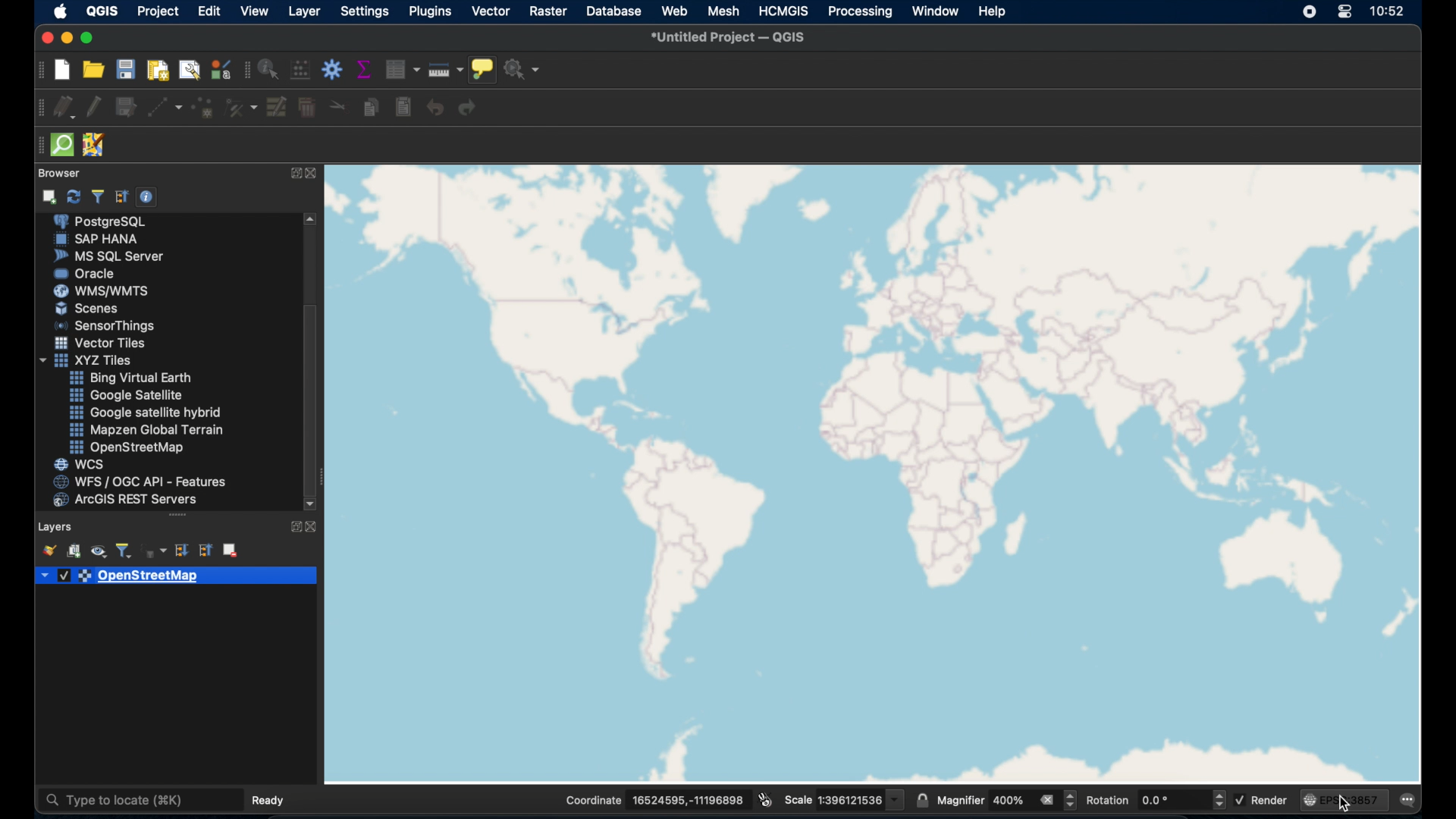 The width and height of the screenshot is (1456, 819). I want to click on ready, so click(266, 799).